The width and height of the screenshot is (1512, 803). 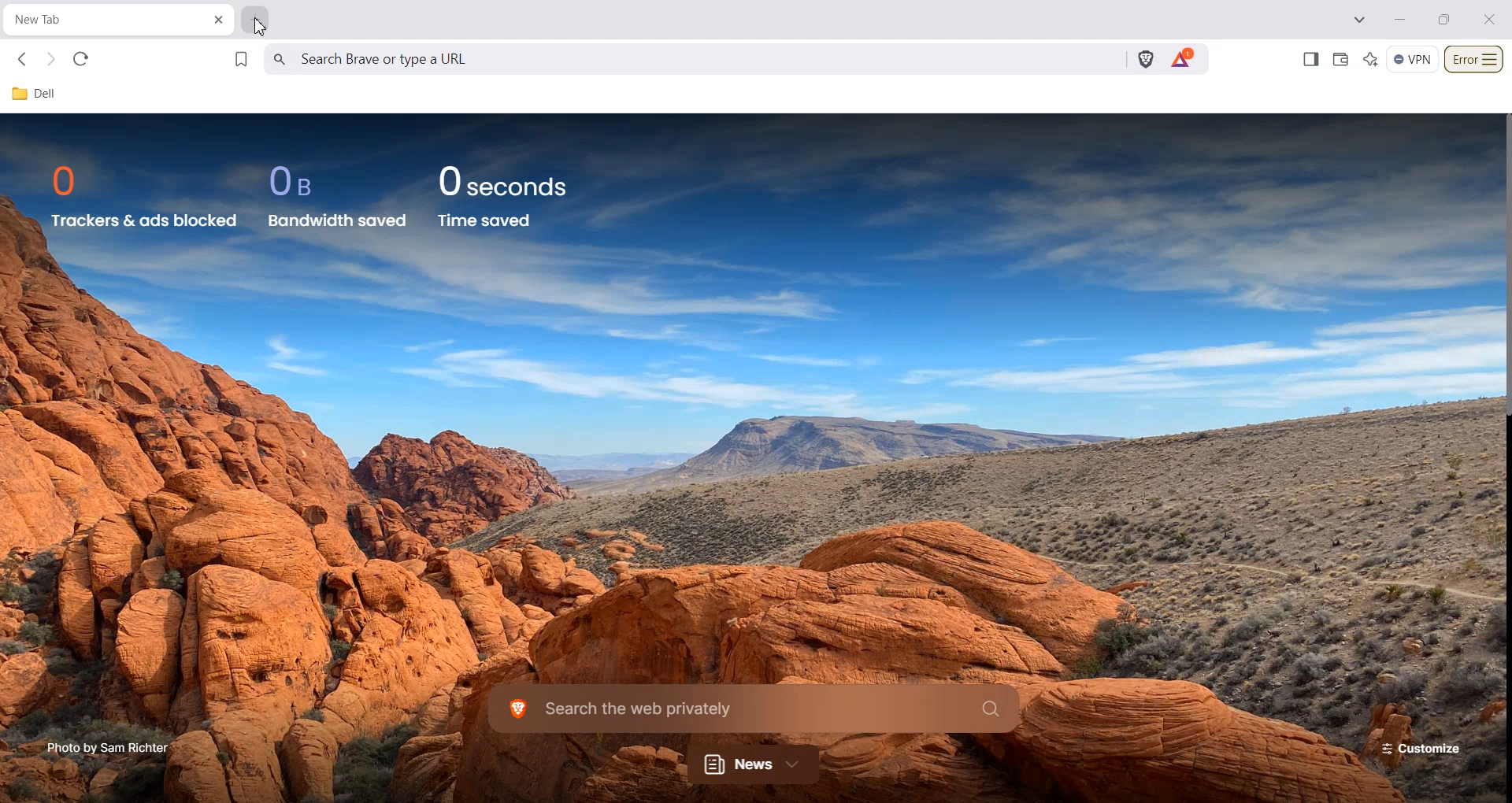 What do you see at coordinates (755, 764) in the screenshot?
I see `News` at bounding box center [755, 764].